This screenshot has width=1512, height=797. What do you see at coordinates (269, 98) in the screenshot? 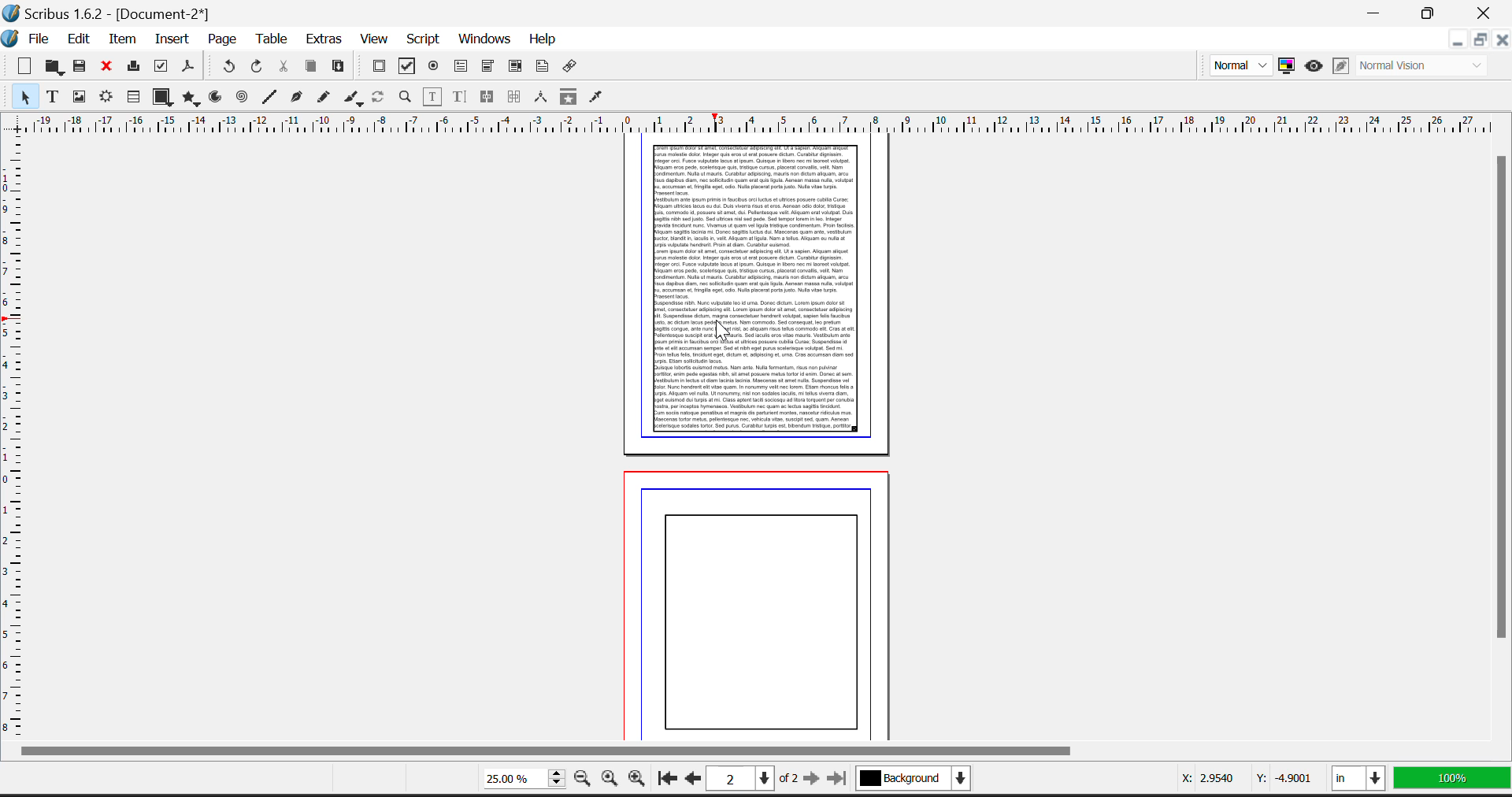
I see `Line` at bounding box center [269, 98].